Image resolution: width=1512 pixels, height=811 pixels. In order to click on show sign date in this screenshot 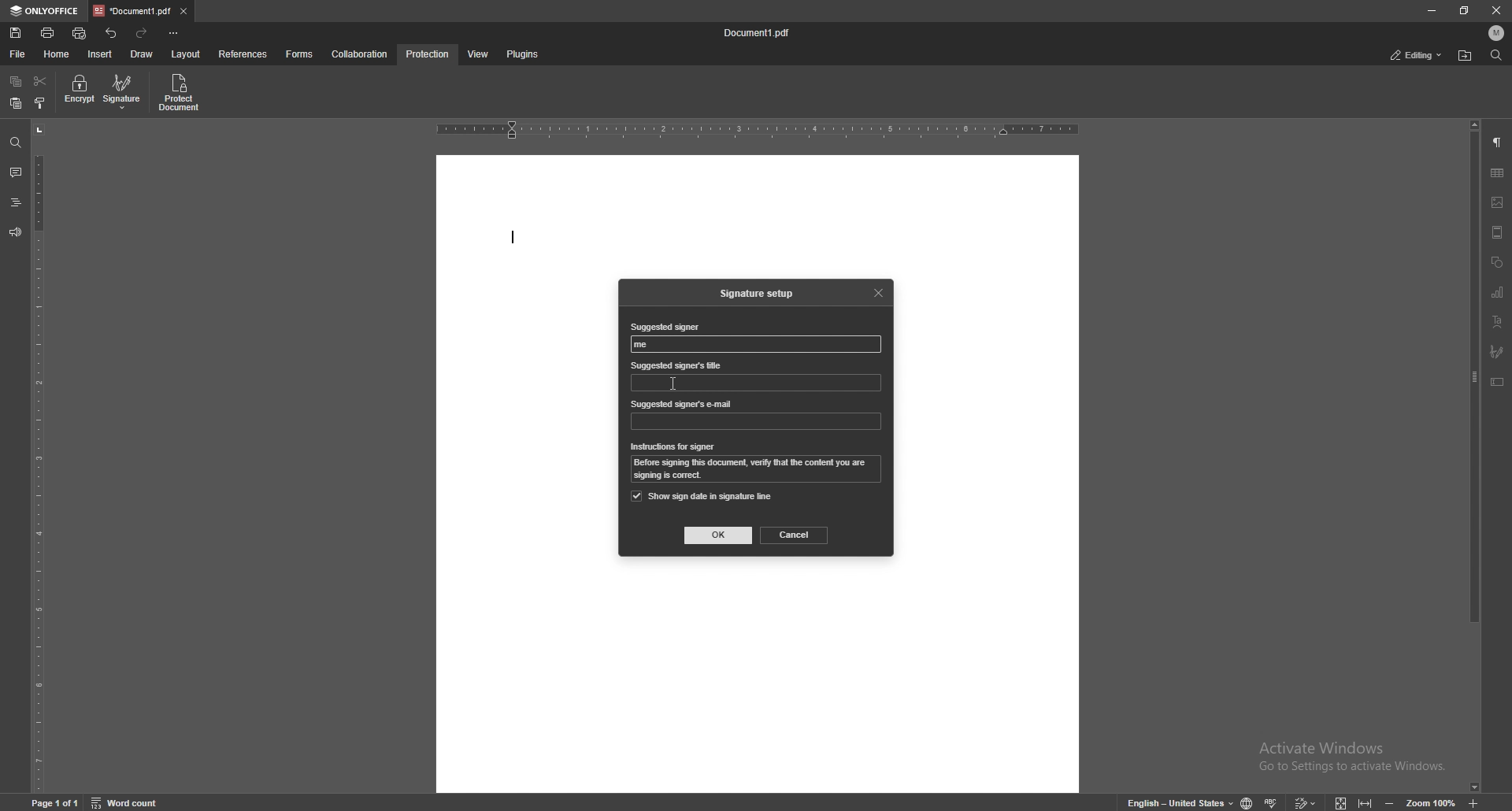, I will do `click(702, 496)`.